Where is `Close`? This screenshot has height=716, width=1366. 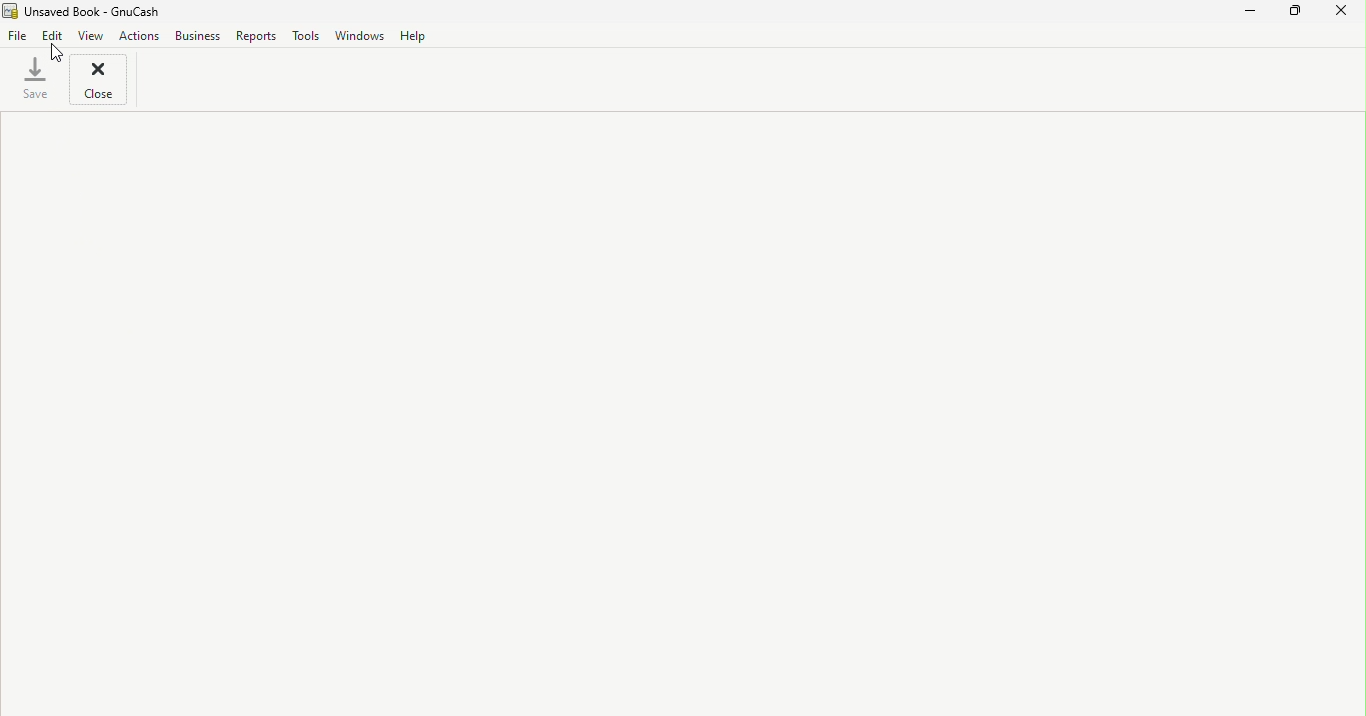 Close is located at coordinates (1342, 14).